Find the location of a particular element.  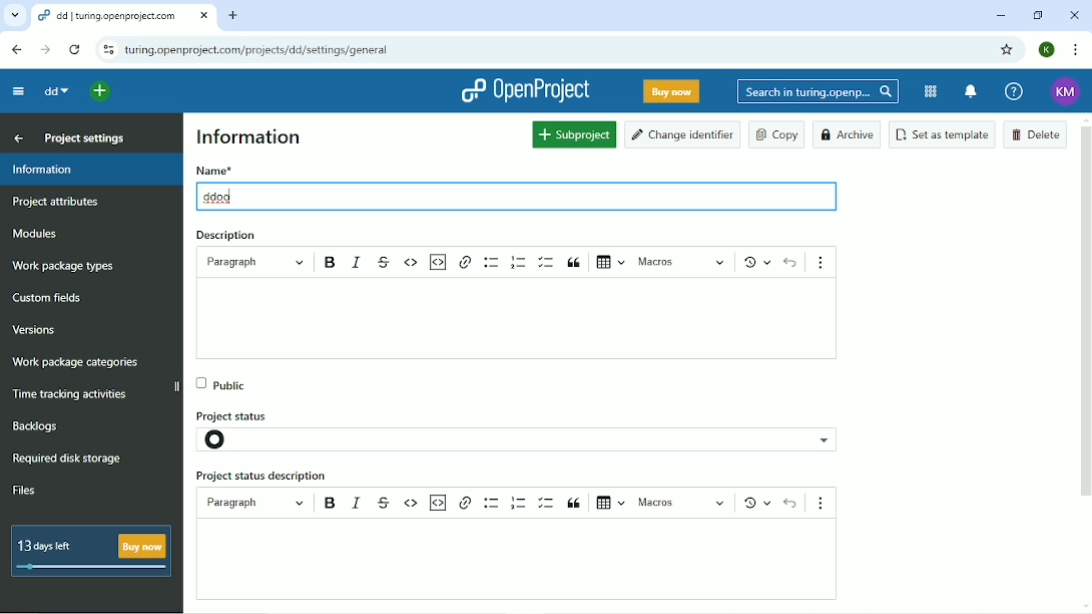

Public is located at coordinates (226, 382).